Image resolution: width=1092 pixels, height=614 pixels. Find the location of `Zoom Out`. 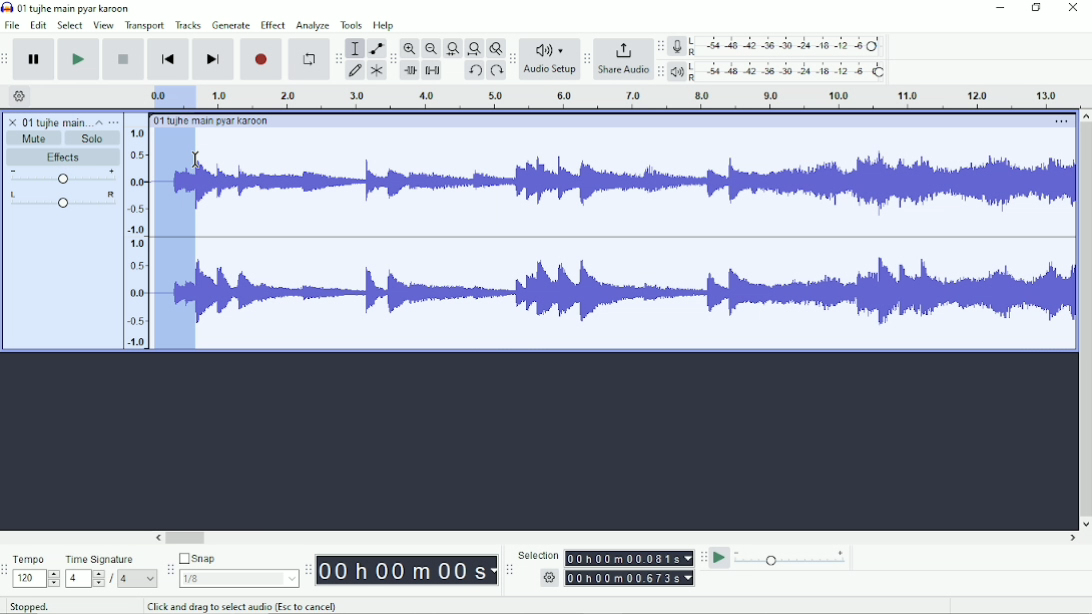

Zoom Out is located at coordinates (431, 49).